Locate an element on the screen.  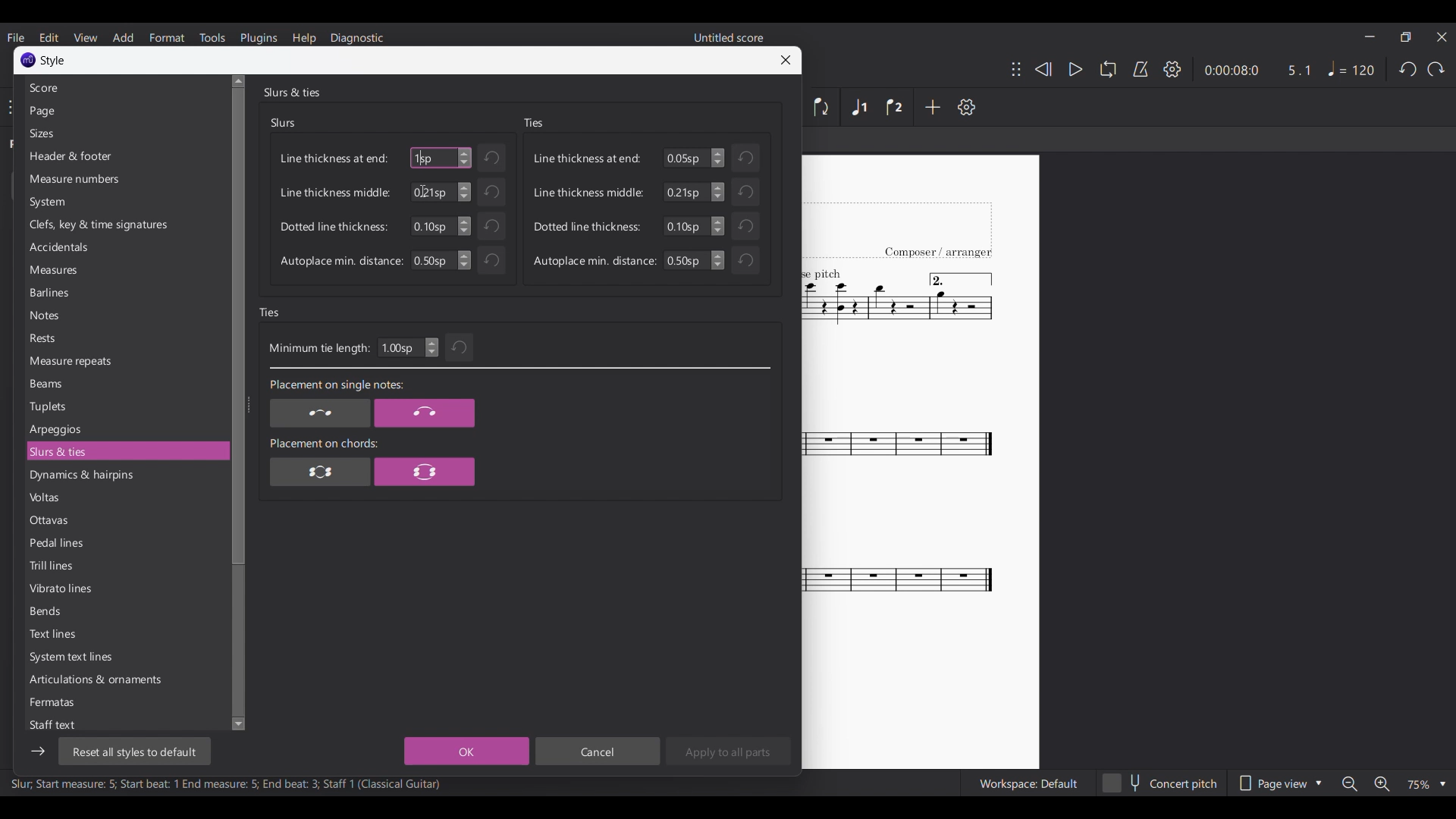
Add menu is located at coordinates (124, 38).